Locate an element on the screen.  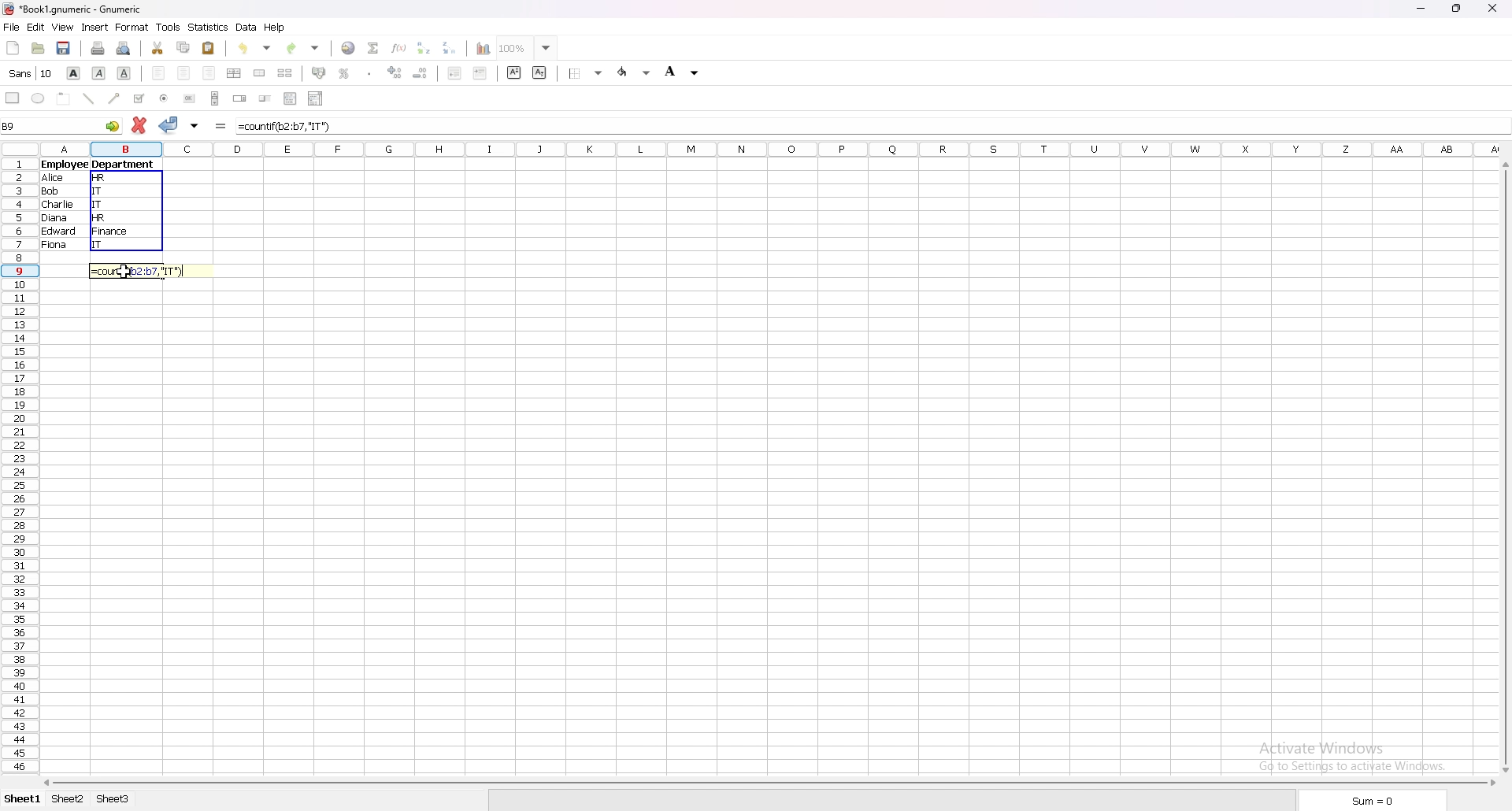
tools is located at coordinates (169, 27).